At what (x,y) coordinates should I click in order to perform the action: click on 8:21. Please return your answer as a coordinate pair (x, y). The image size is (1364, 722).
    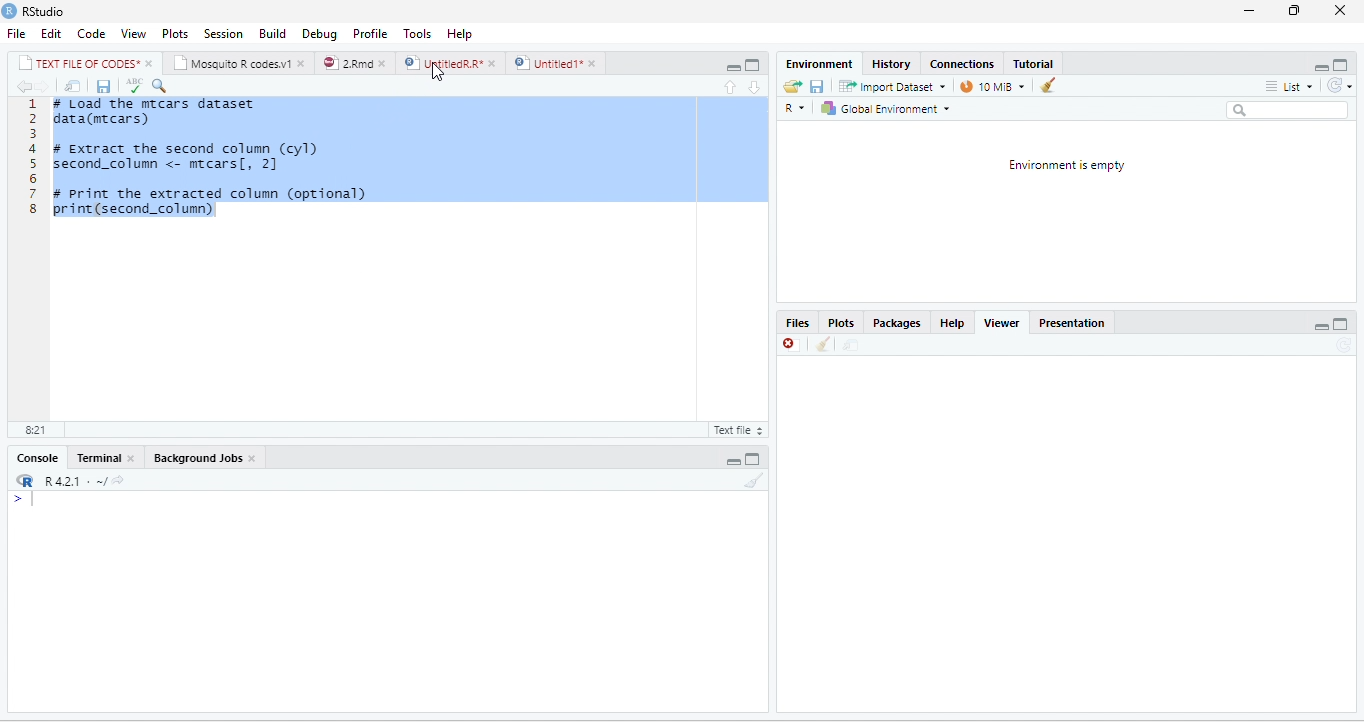
    Looking at the image, I should click on (33, 431).